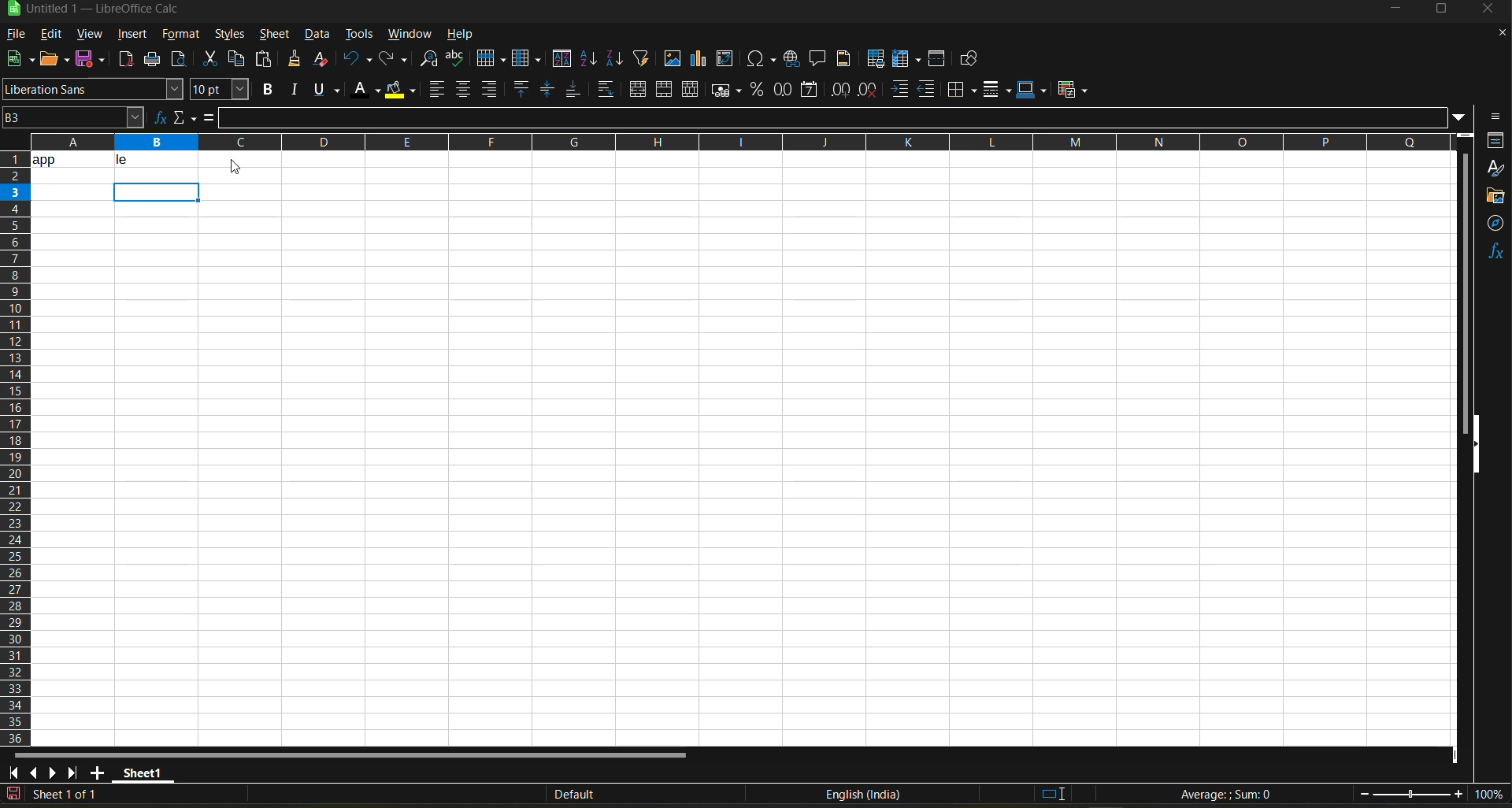 The width and height of the screenshot is (1512, 808). Describe the element at coordinates (295, 61) in the screenshot. I see `clone formatting` at that location.